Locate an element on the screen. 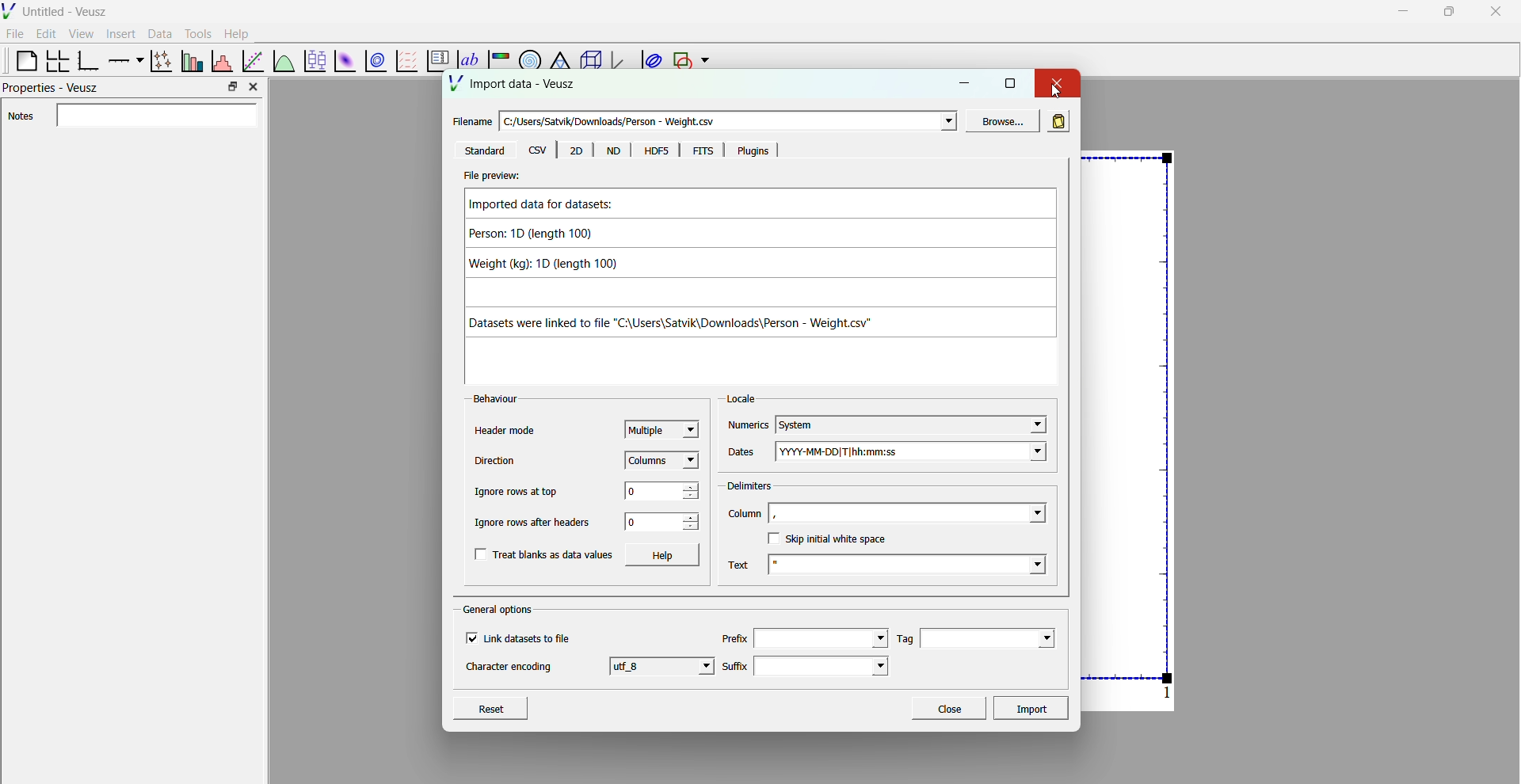 This screenshot has height=784, width=1521. Import is located at coordinates (1034, 707).